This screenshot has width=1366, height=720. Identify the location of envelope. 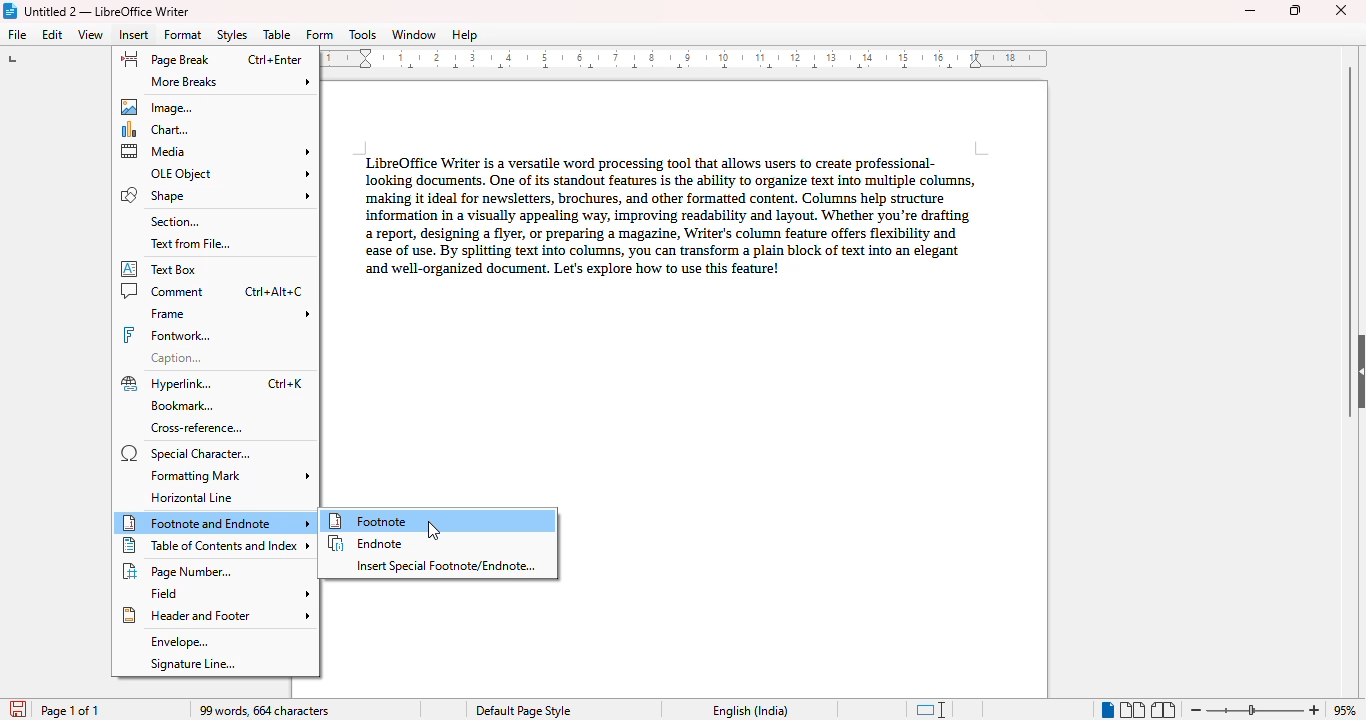
(177, 642).